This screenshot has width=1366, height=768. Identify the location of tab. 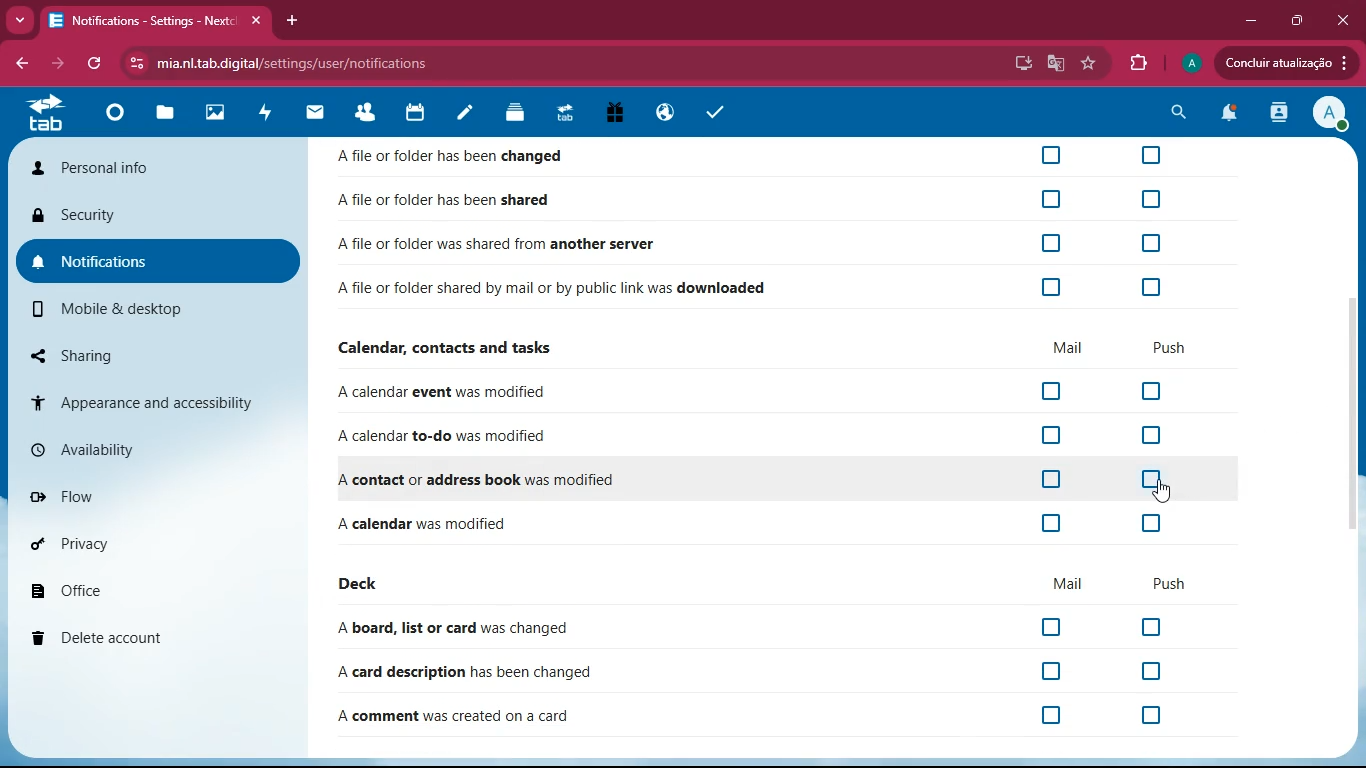
(44, 114).